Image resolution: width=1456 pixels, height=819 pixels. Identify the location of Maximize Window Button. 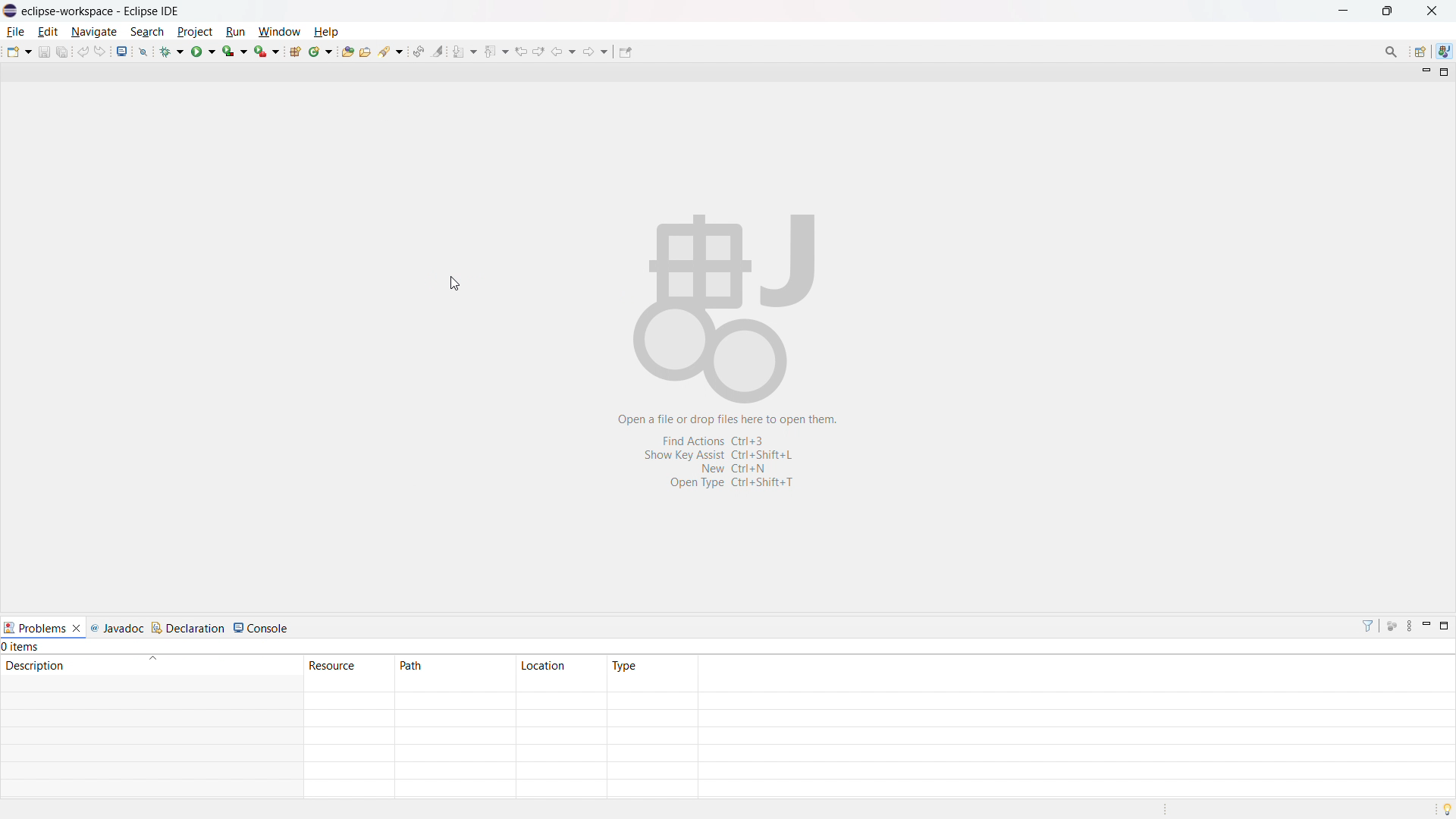
(1445, 626).